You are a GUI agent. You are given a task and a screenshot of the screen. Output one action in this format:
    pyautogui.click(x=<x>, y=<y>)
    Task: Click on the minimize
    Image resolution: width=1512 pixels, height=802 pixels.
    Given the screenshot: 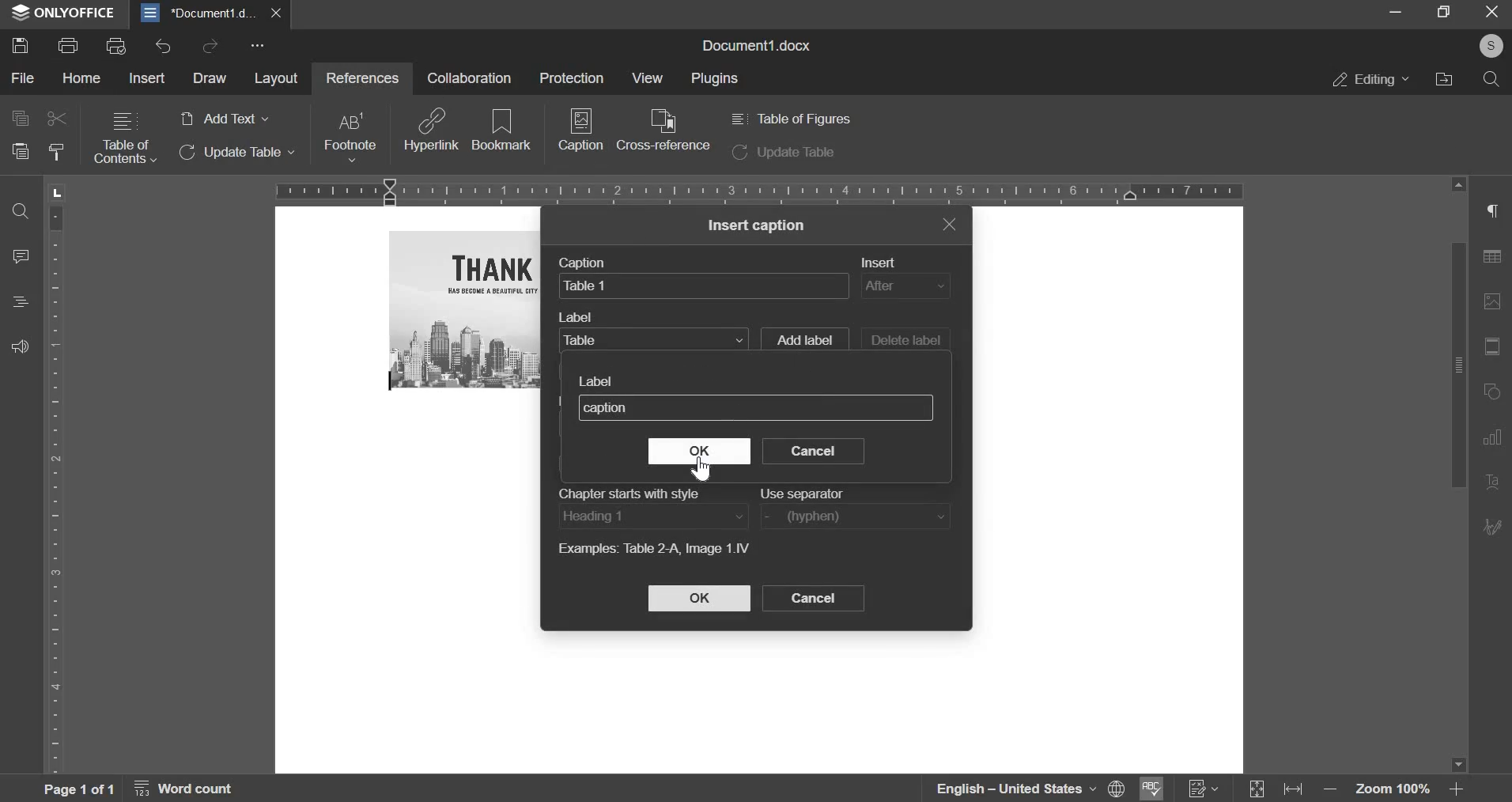 What is the action you would take?
    pyautogui.click(x=1396, y=13)
    